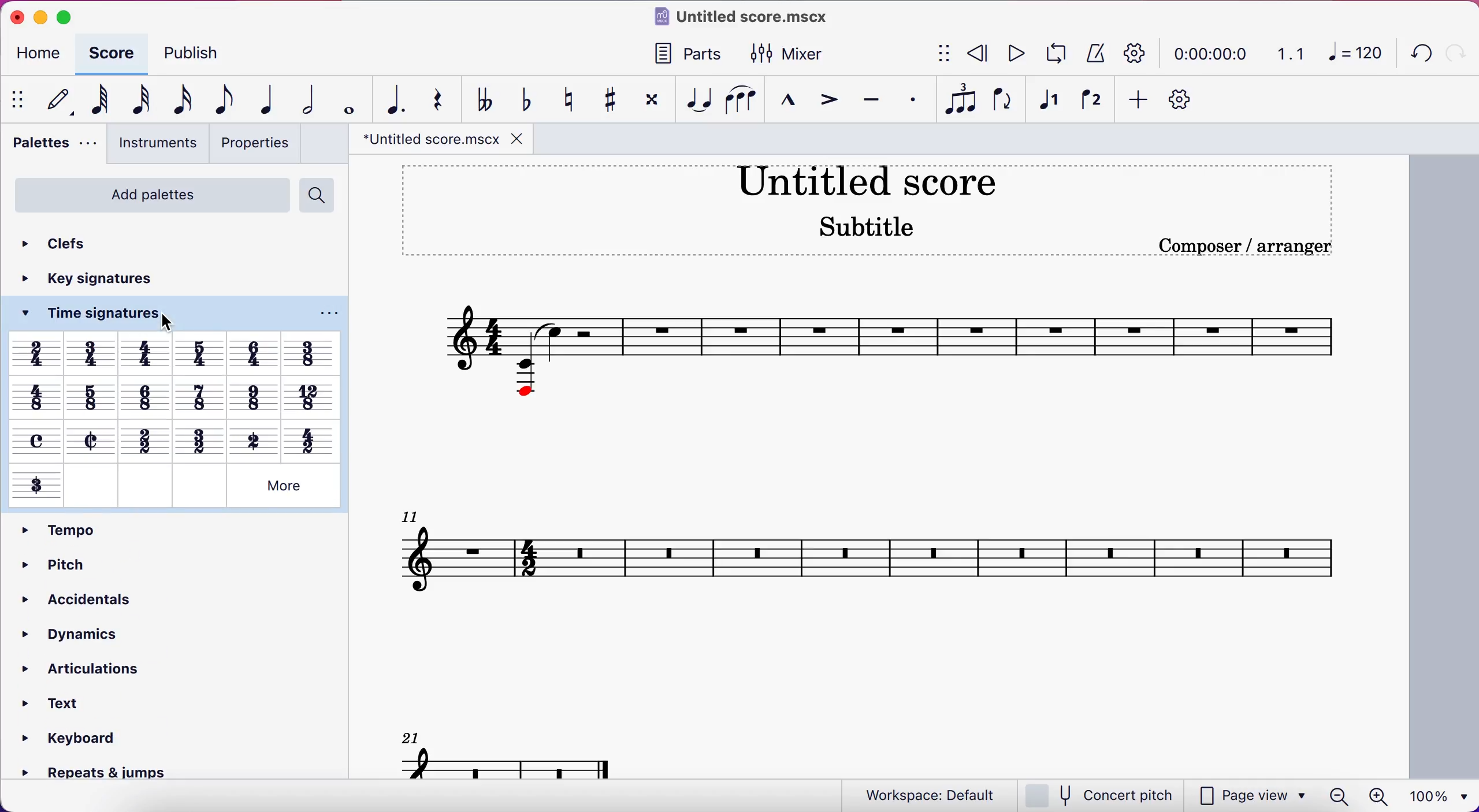  What do you see at coordinates (43, 53) in the screenshot?
I see `home` at bounding box center [43, 53].